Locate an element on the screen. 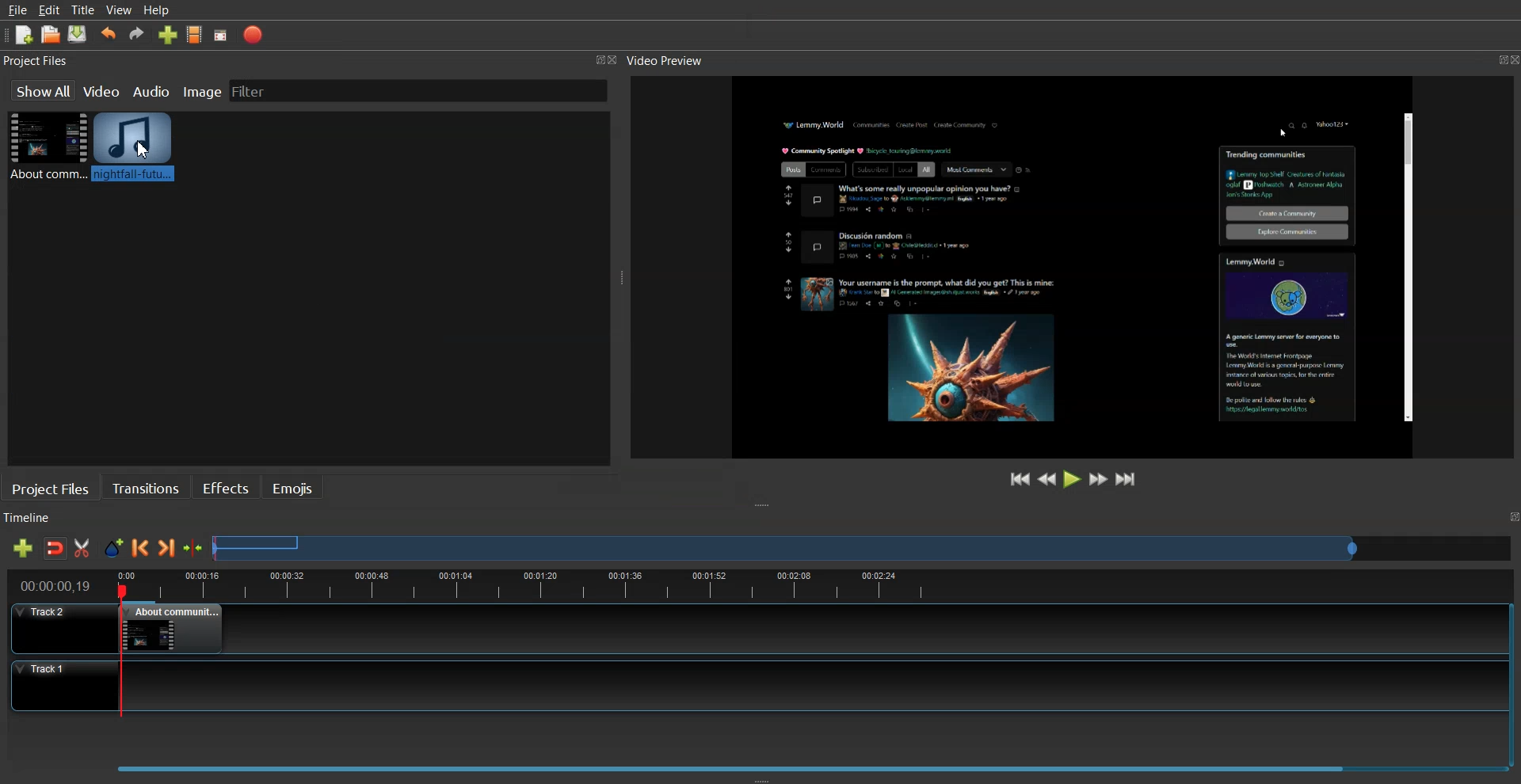 The image size is (1521, 784). Close is located at coordinates (1511, 59).